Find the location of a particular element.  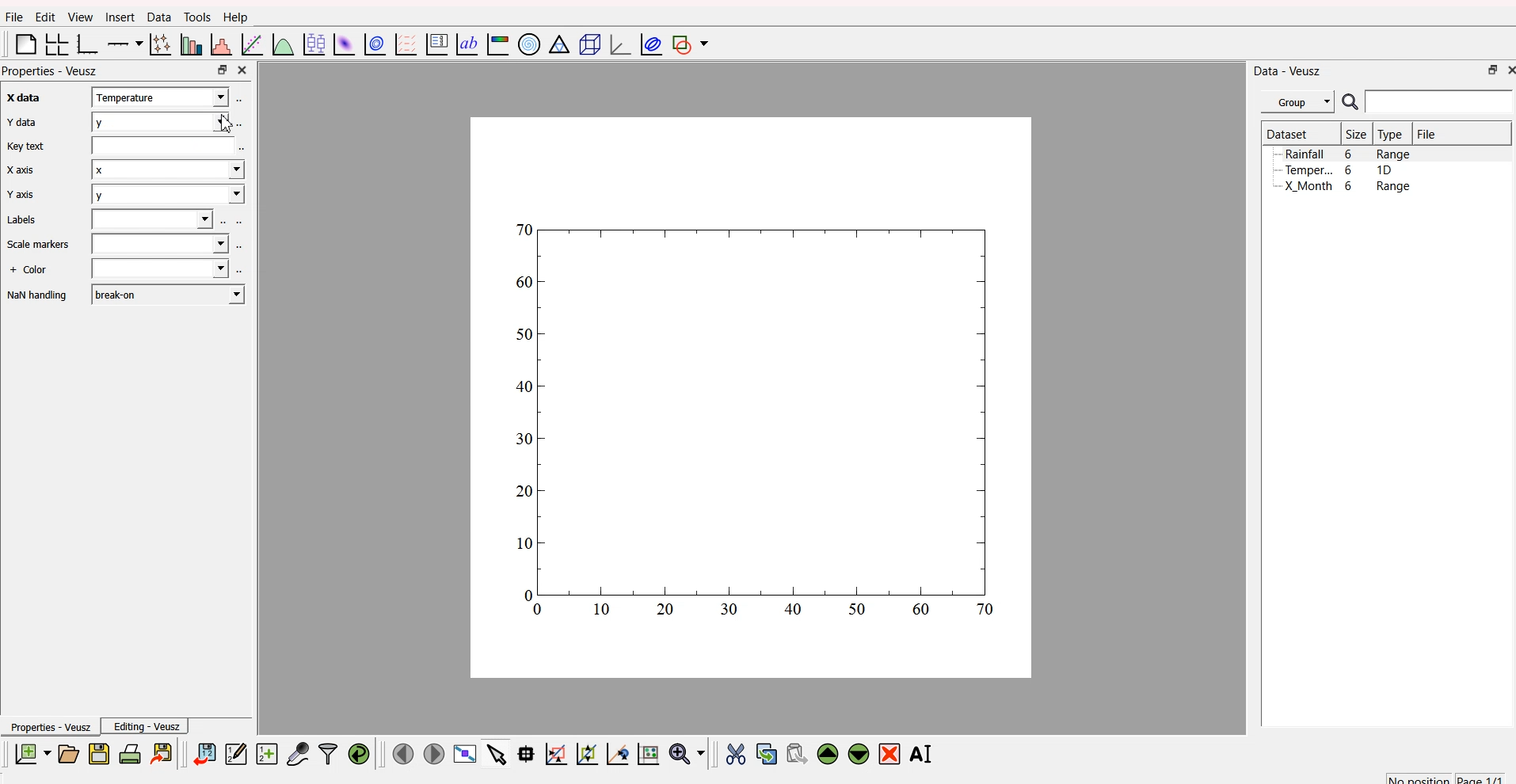

field is located at coordinates (163, 244).